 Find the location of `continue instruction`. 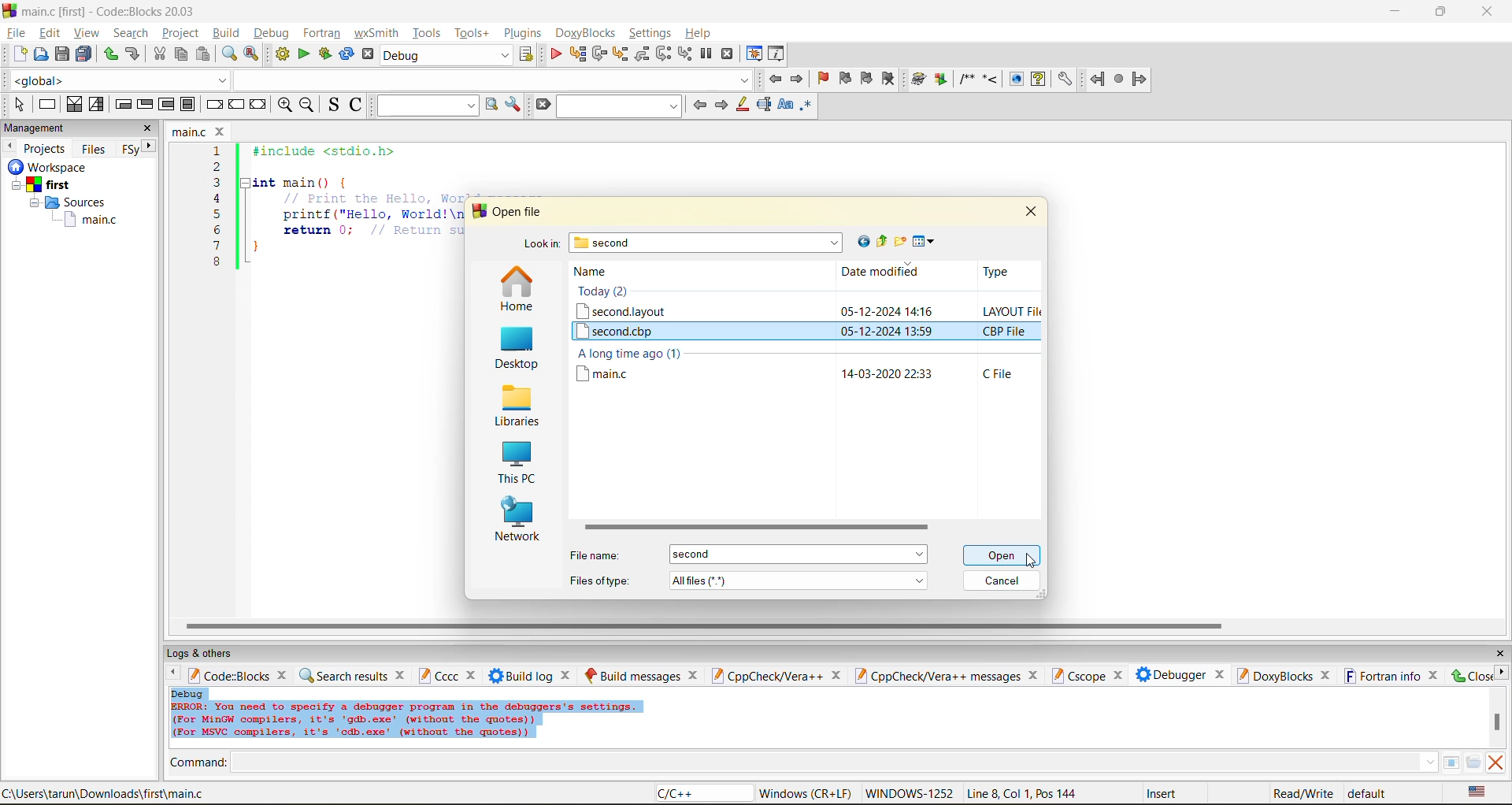

continue instruction is located at coordinates (235, 106).